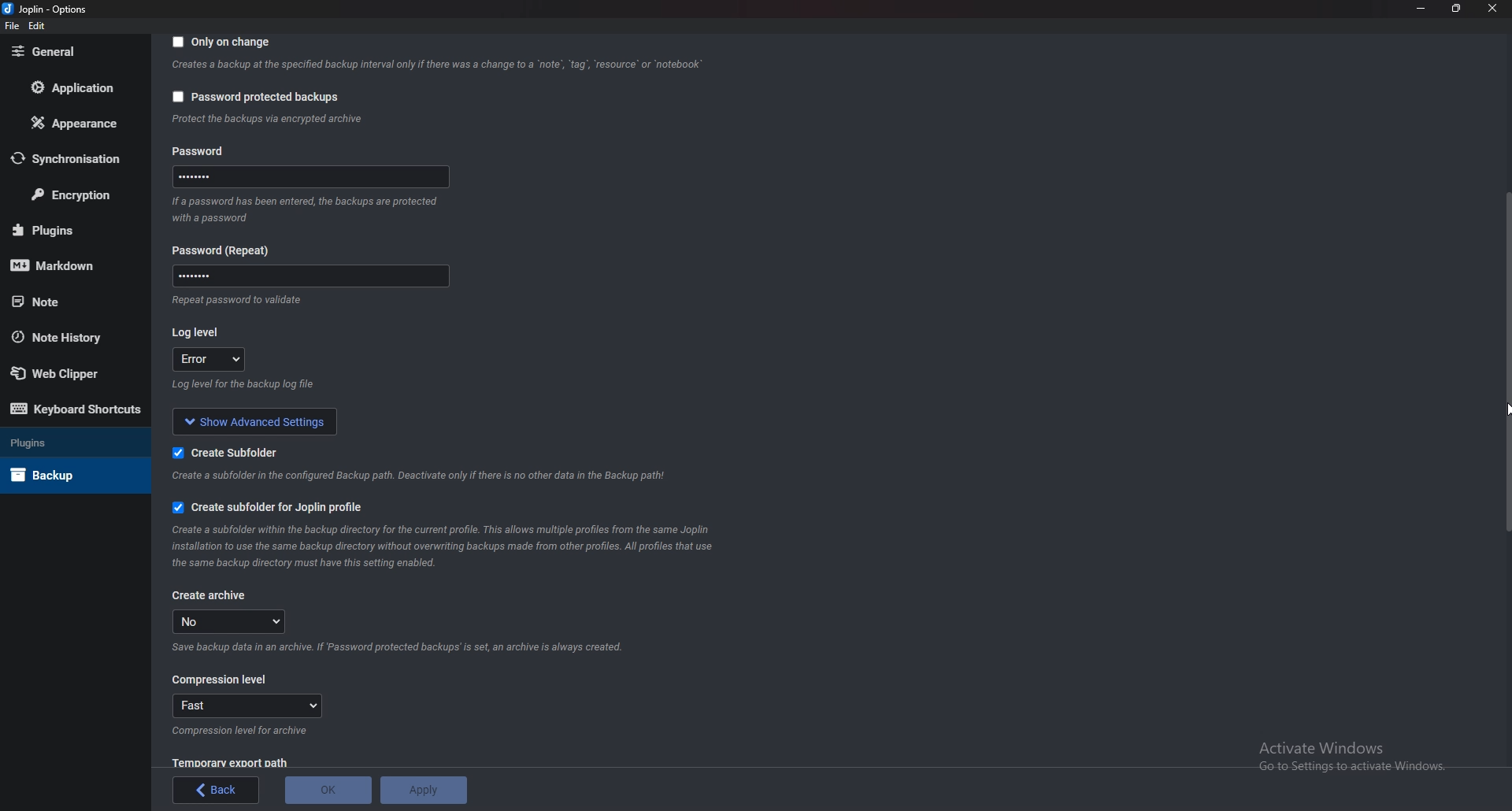 This screenshot has width=1512, height=811. Describe the element at coordinates (1458, 8) in the screenshot. I see `resize` at that location.